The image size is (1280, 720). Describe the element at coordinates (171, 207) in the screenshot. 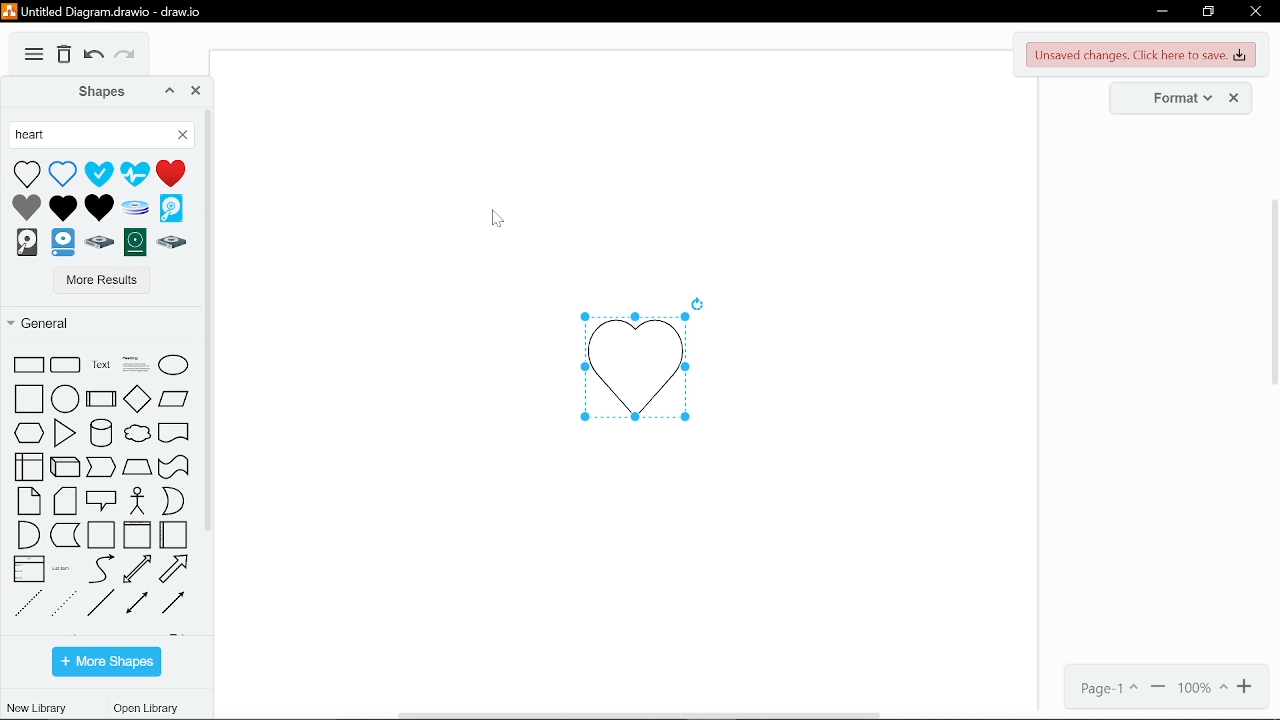

I see `vhd` at that location.